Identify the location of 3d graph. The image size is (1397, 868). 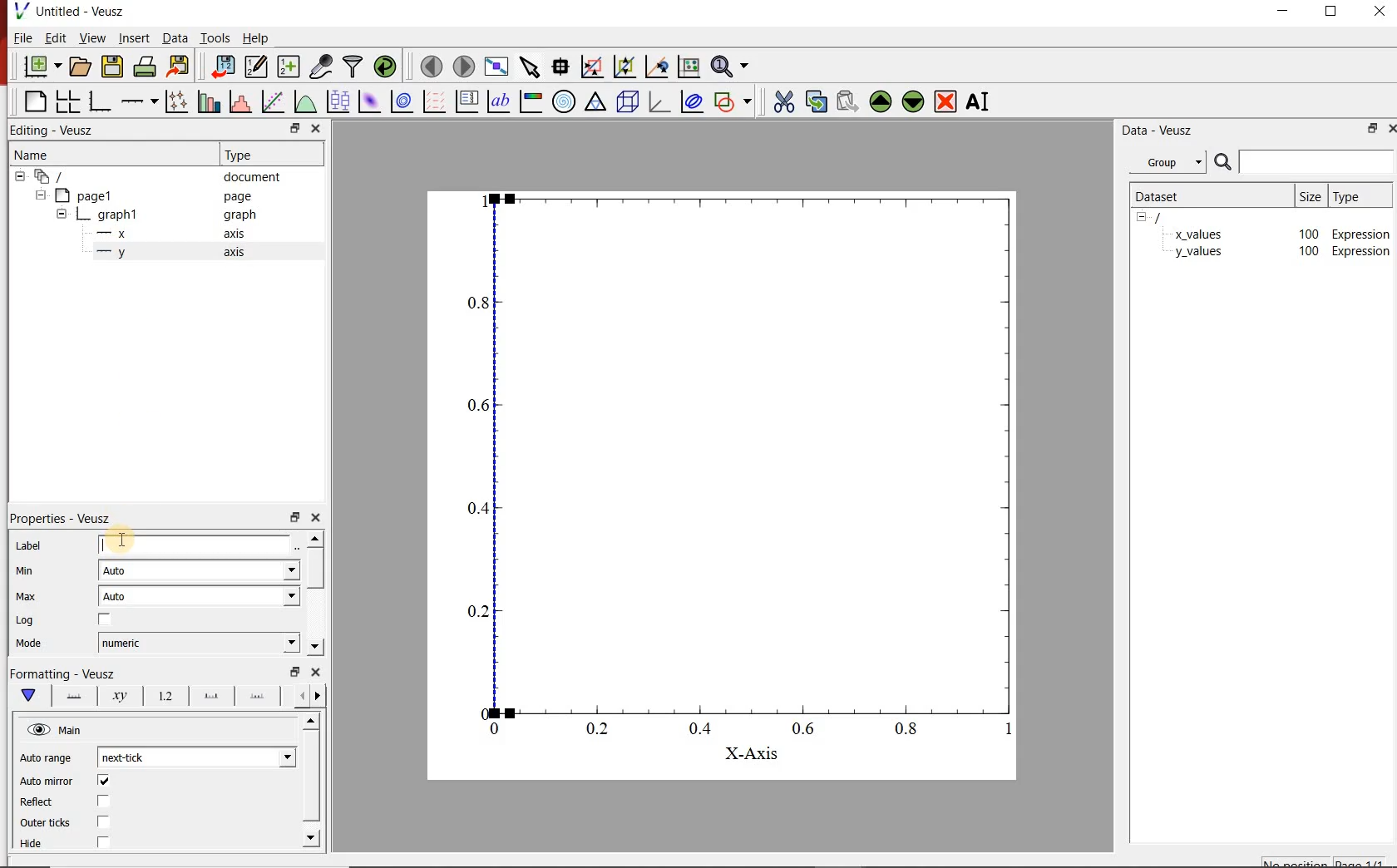
(660, 104).